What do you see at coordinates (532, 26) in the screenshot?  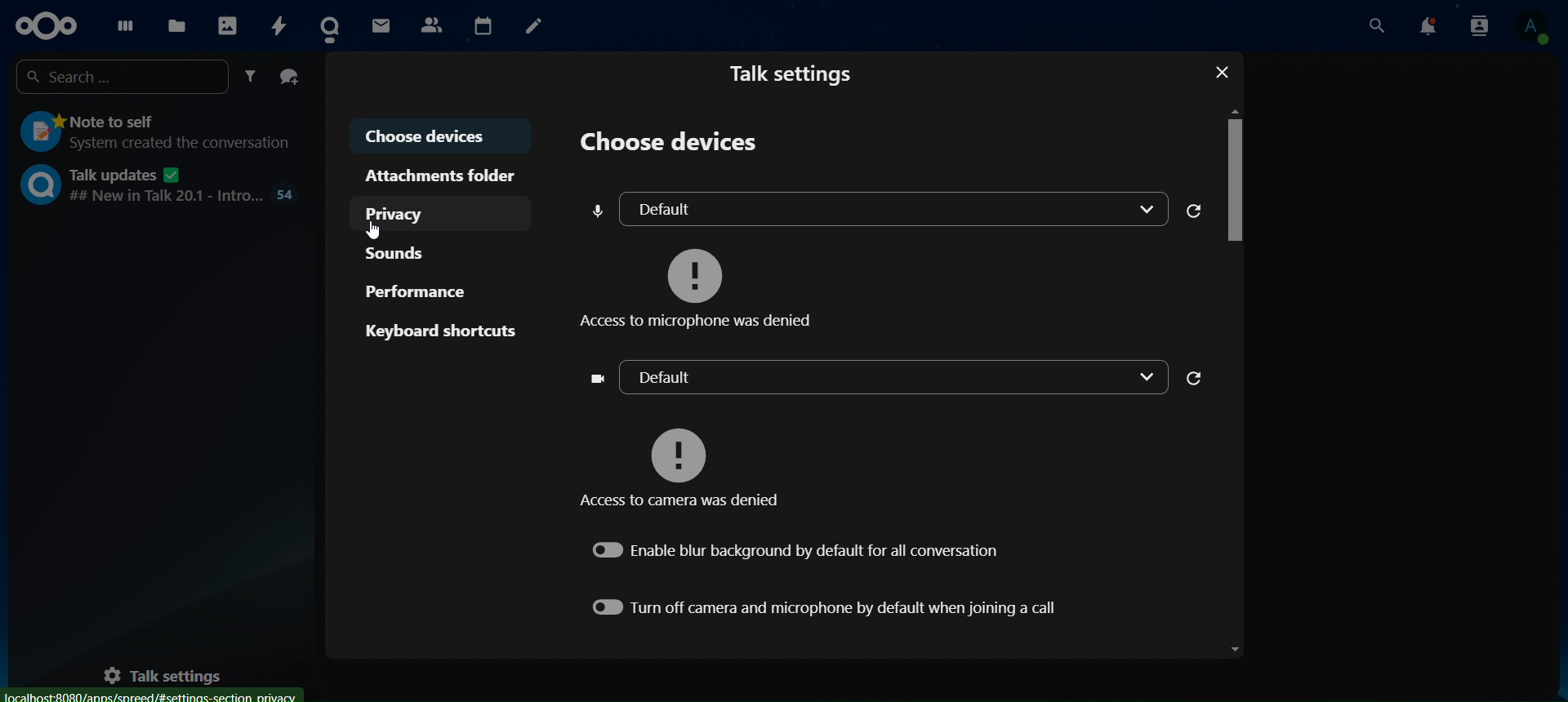 I see `notes` at bounding box center [532, 26].